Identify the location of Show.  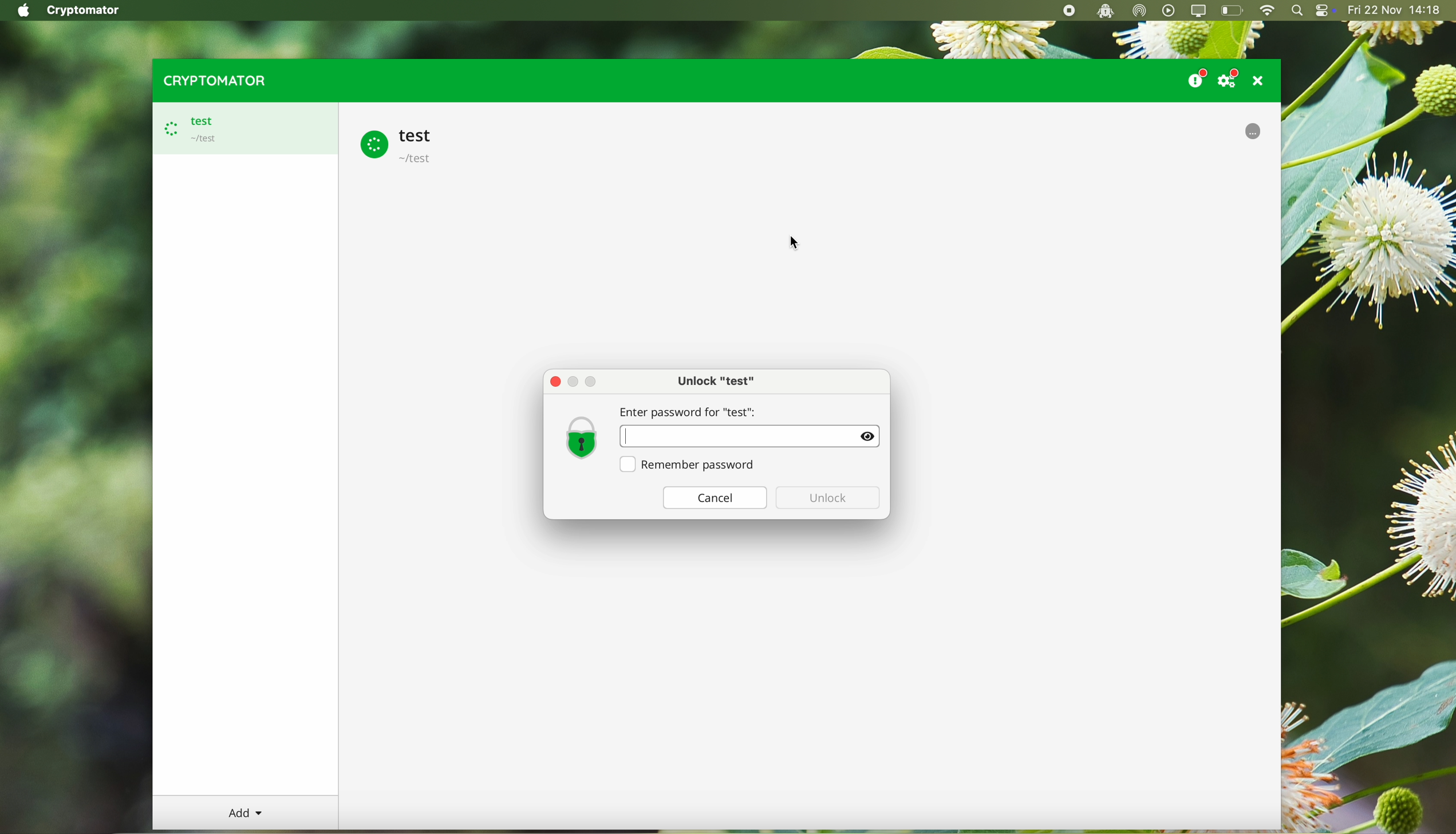
(867, 435).